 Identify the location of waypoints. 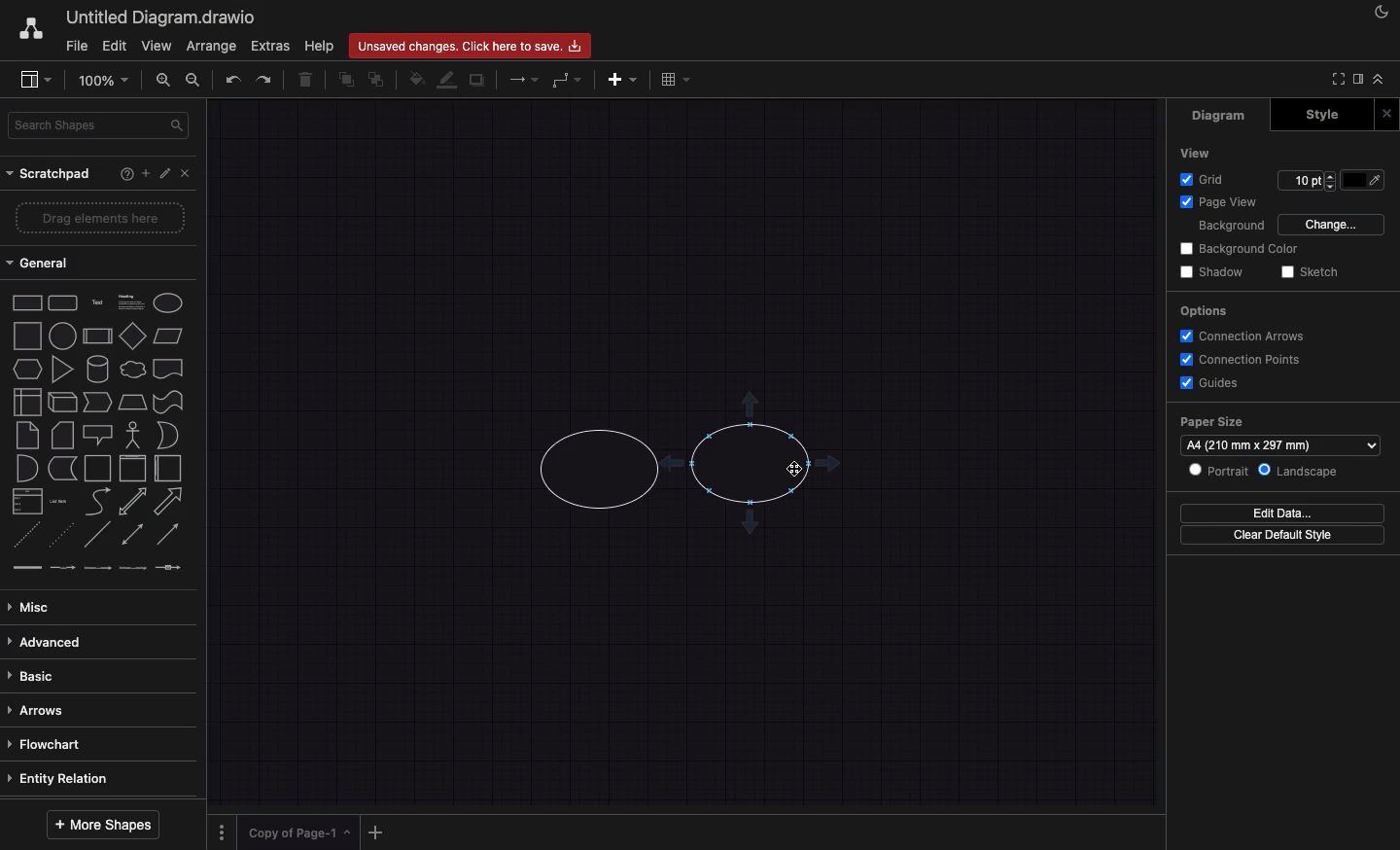
(565, 80).